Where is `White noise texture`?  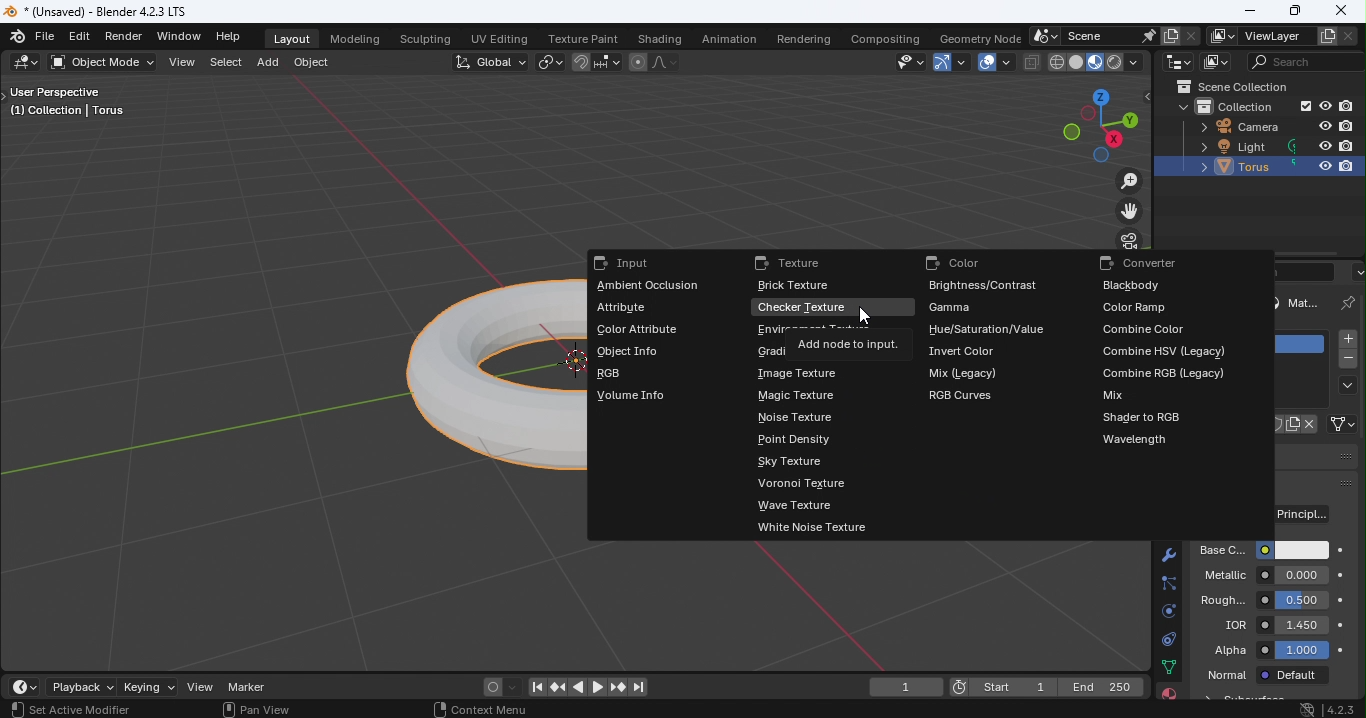
White noise texture is located at coordinates (805, 528).